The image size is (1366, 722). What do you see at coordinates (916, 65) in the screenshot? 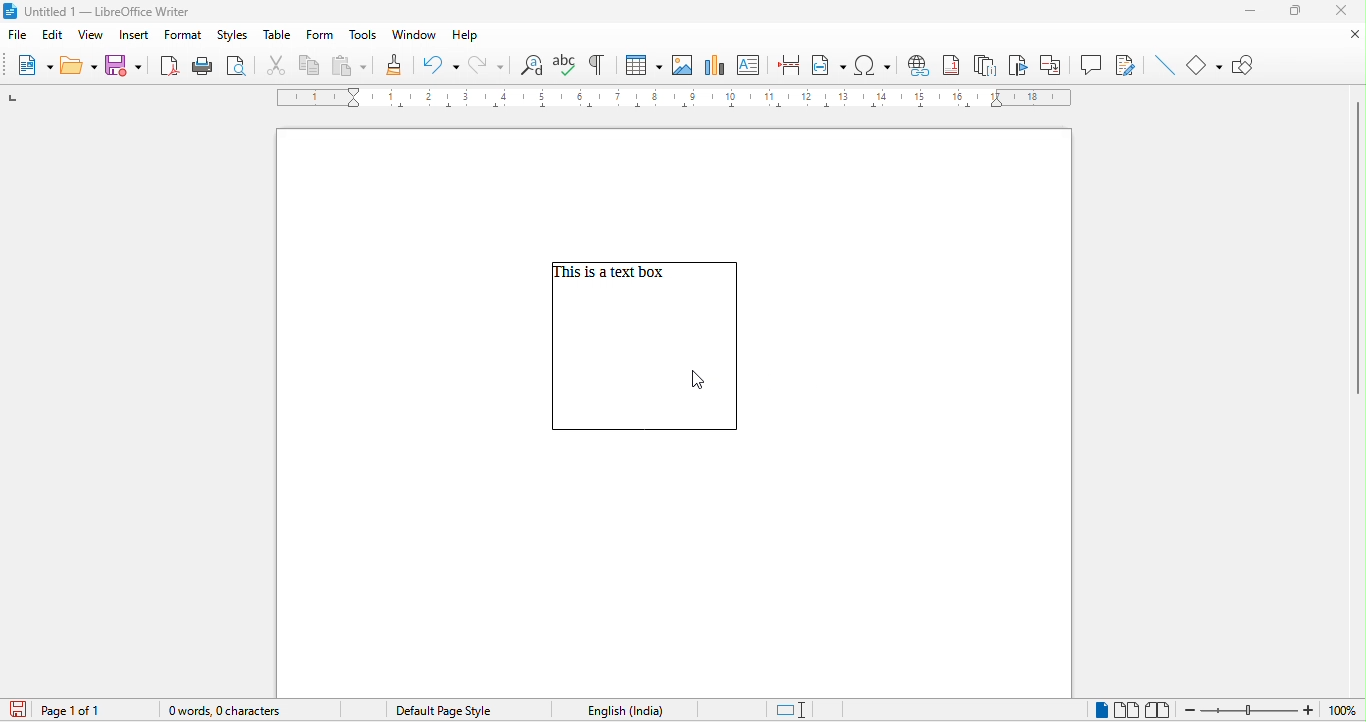
I see `hyperlink` at bounding box center [916, 65].